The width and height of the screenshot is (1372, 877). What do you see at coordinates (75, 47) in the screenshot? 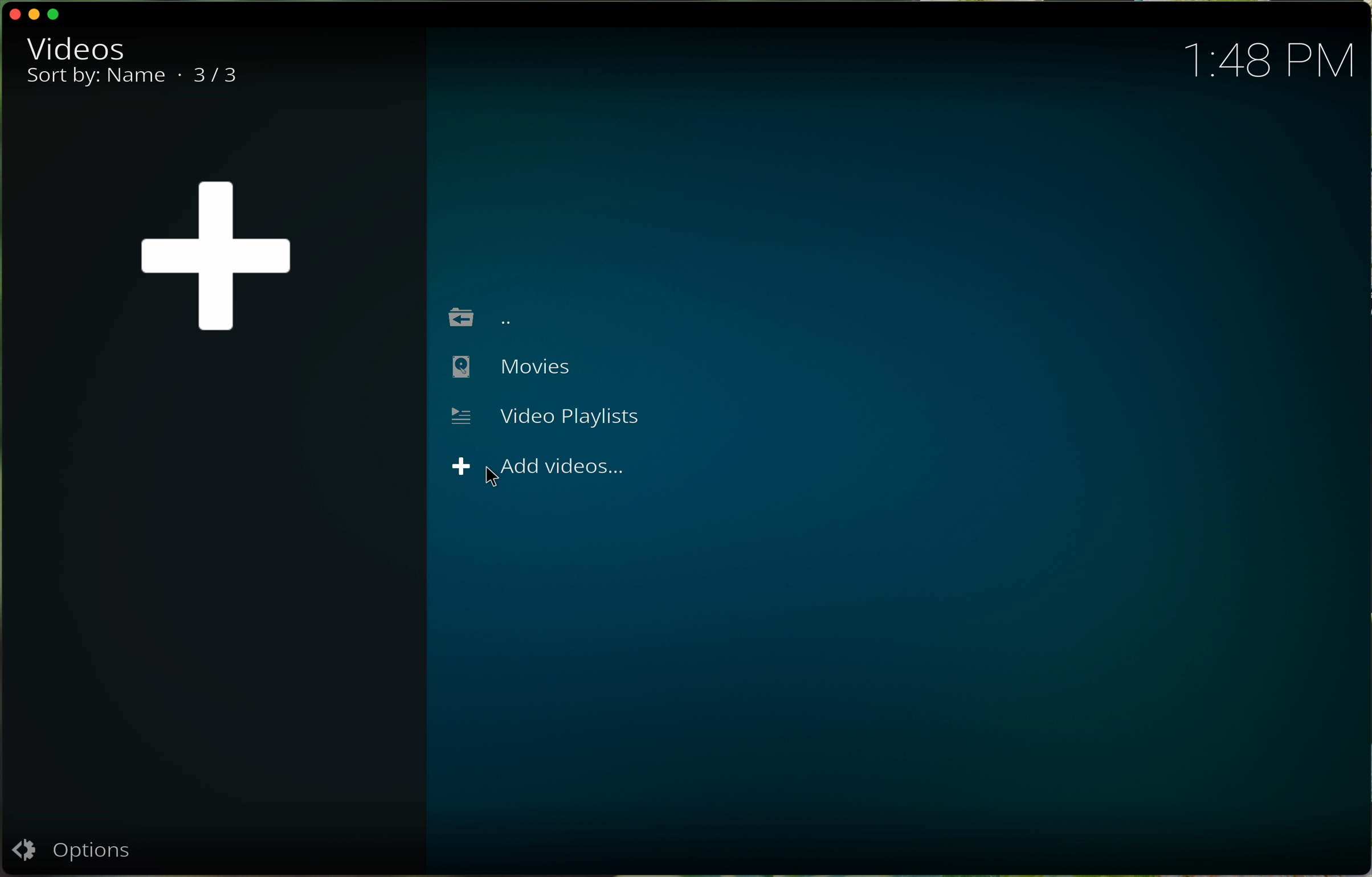
I see `video` at bounding box center [75, 47].